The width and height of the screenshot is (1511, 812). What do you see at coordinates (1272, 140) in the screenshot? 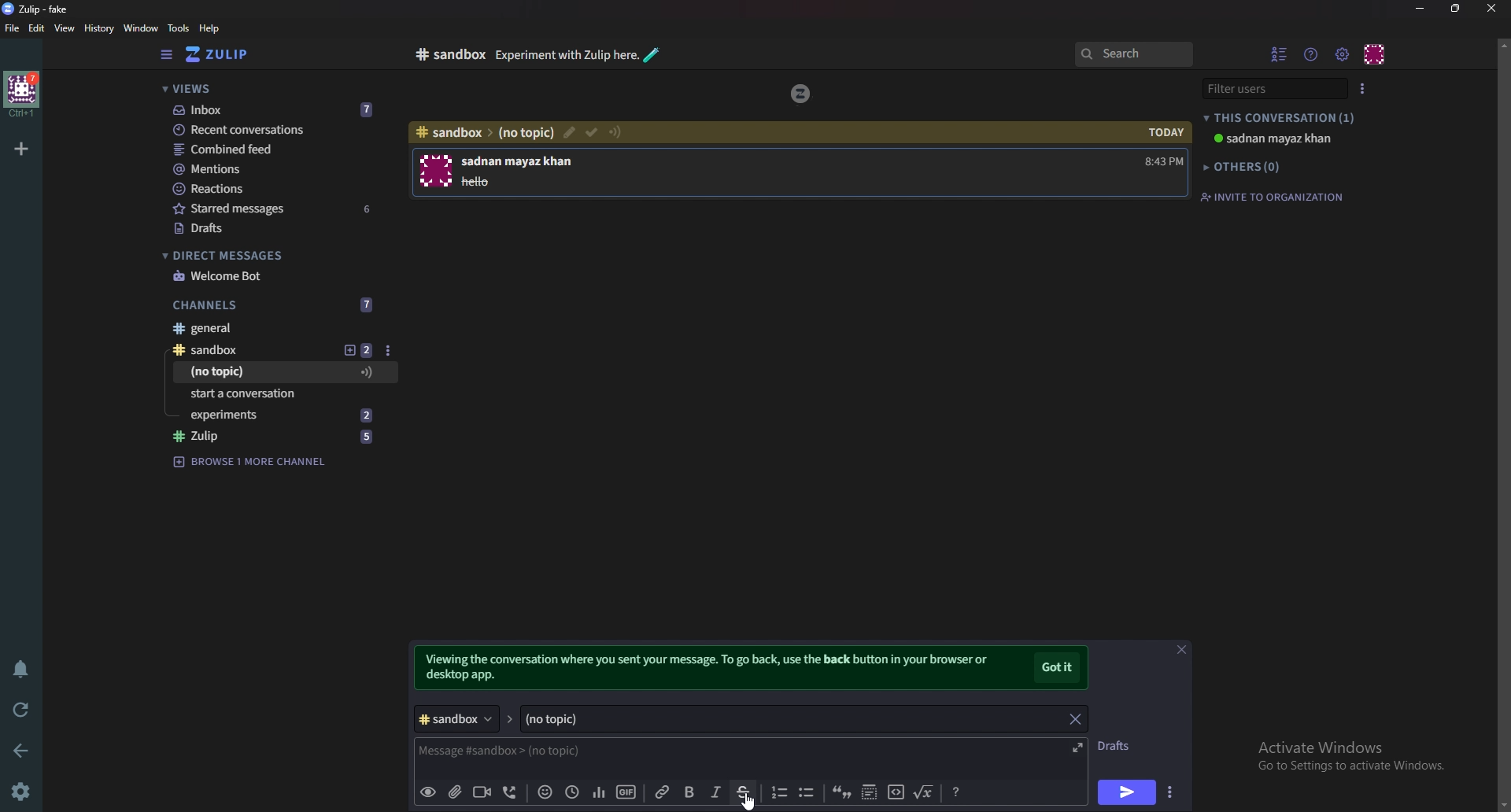
I see `sadnan mayaz khan` at bounding box center [1272, 140].